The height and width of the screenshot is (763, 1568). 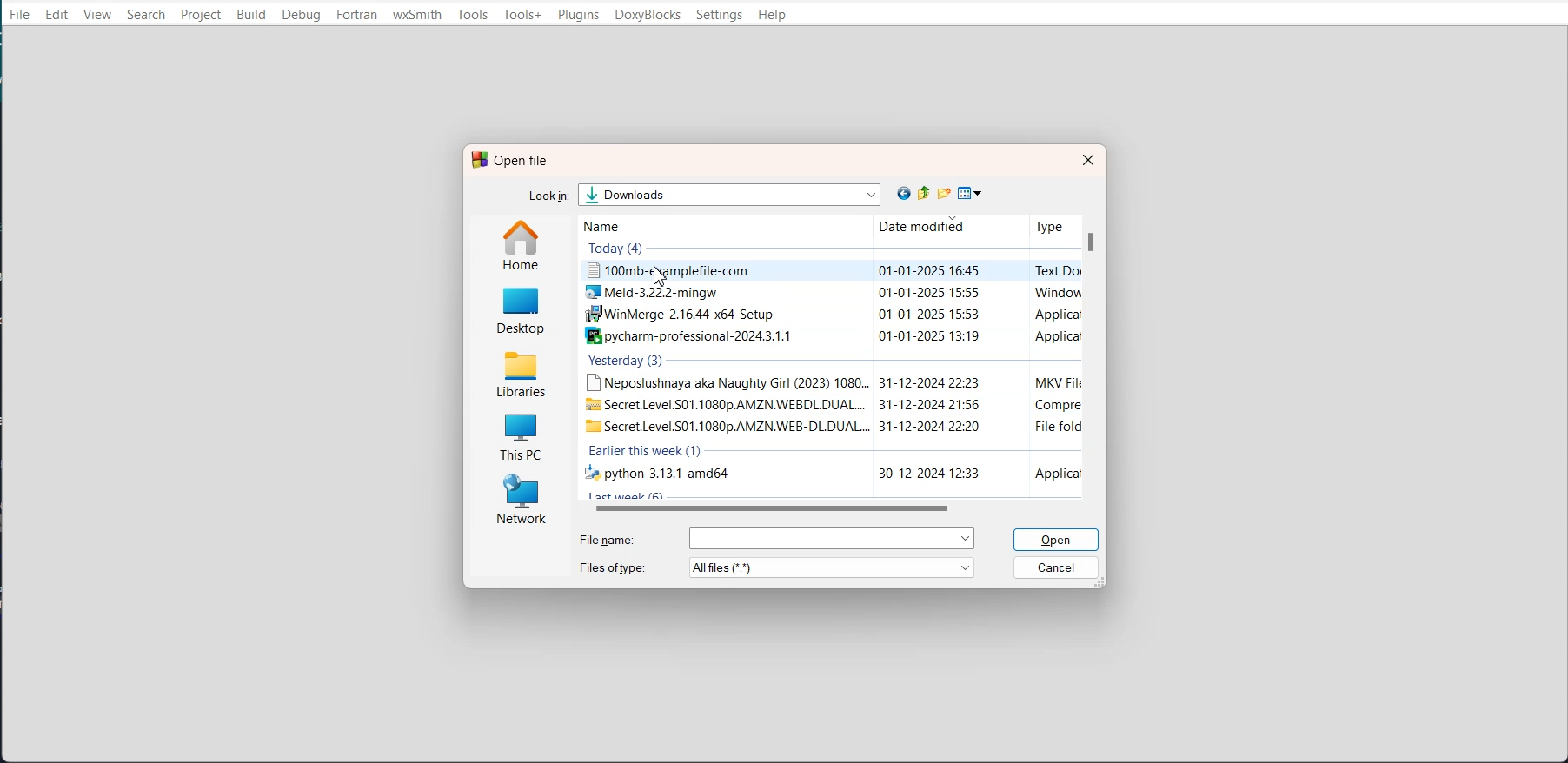 I want to click on go back Previous file, so click(x=905, y=194).